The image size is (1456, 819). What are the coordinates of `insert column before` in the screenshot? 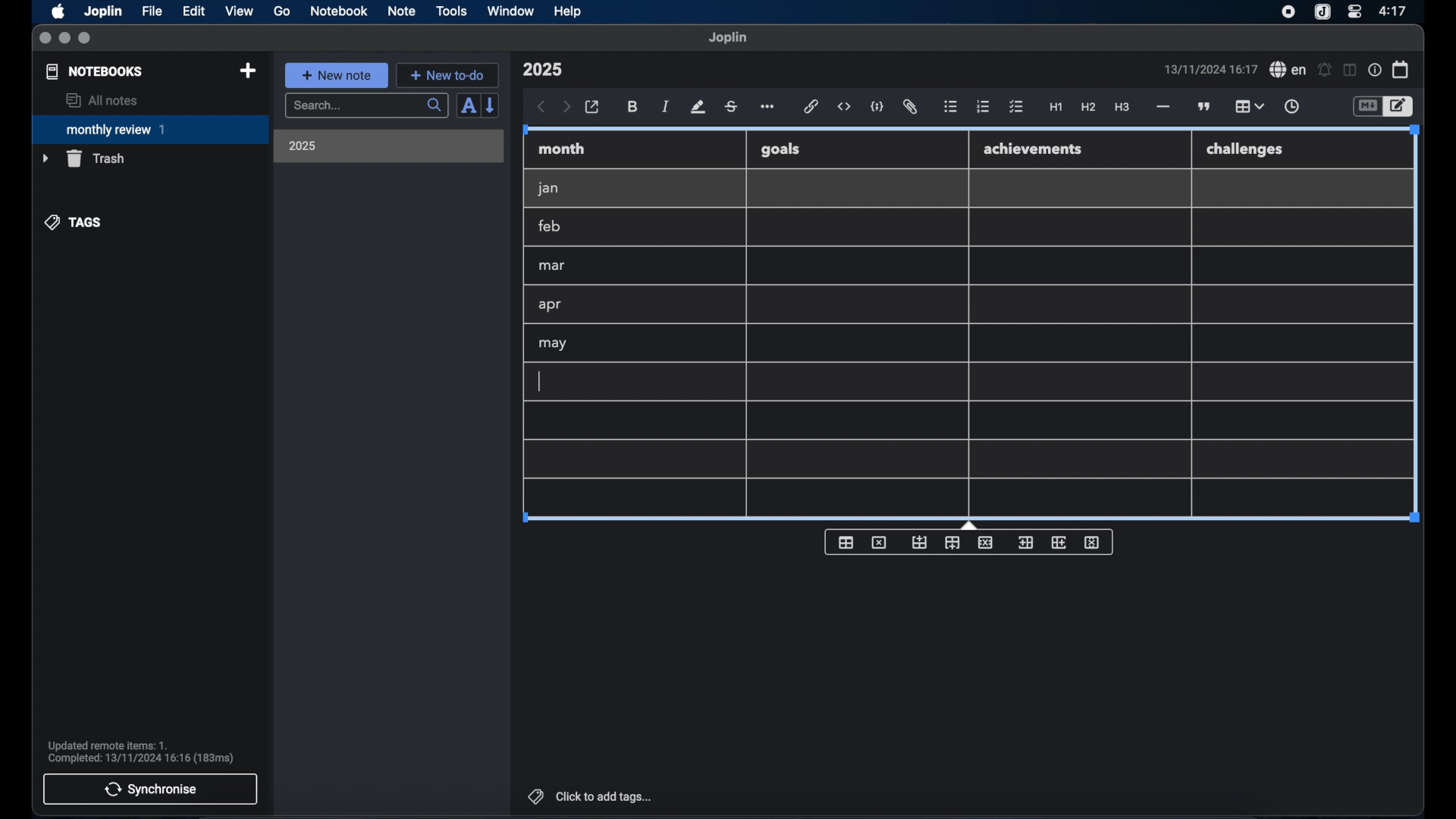 It's located at (1025, 543).